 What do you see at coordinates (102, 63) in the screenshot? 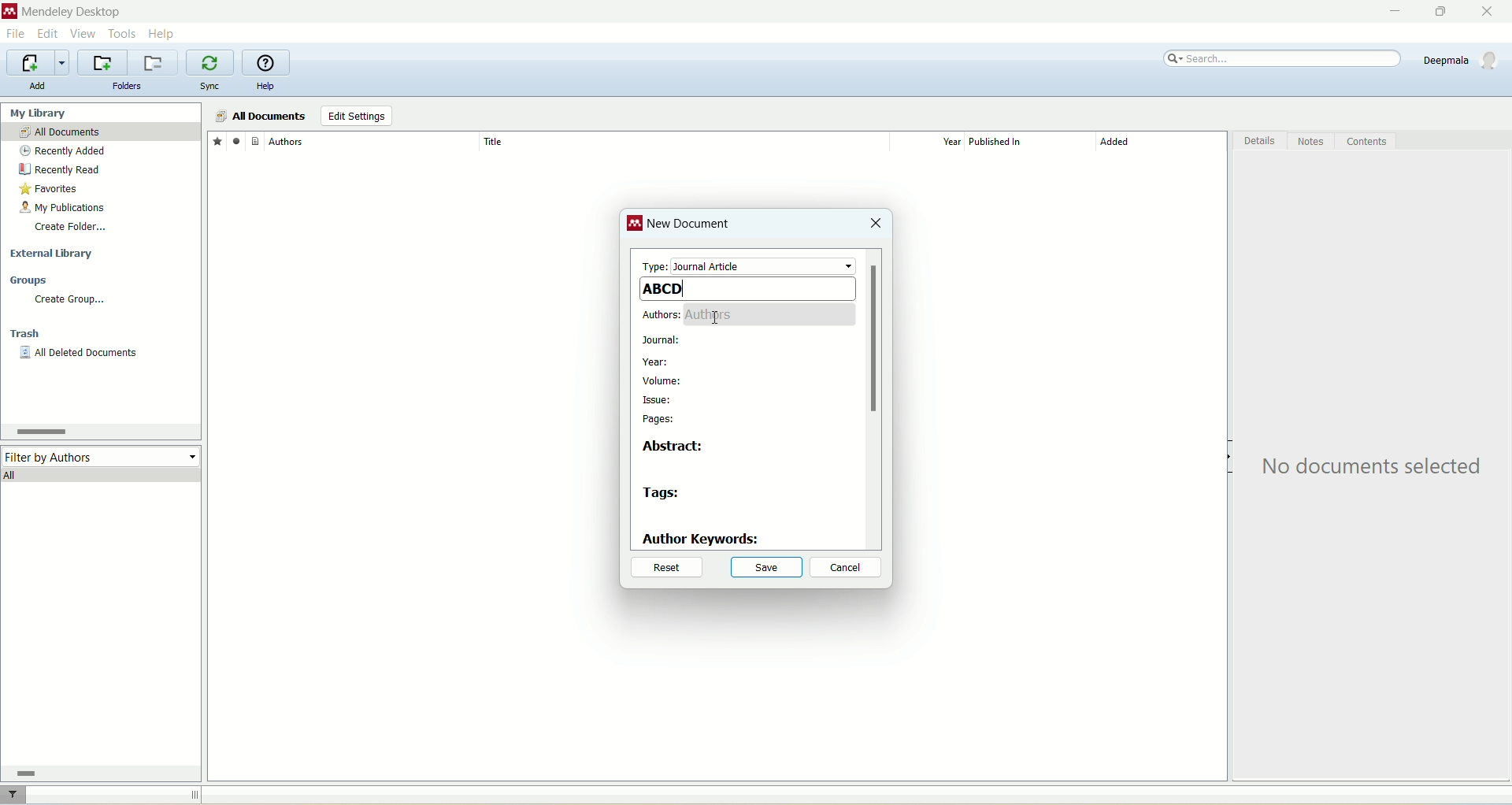
I see `create a new folder` at bounding box center [102, 63].